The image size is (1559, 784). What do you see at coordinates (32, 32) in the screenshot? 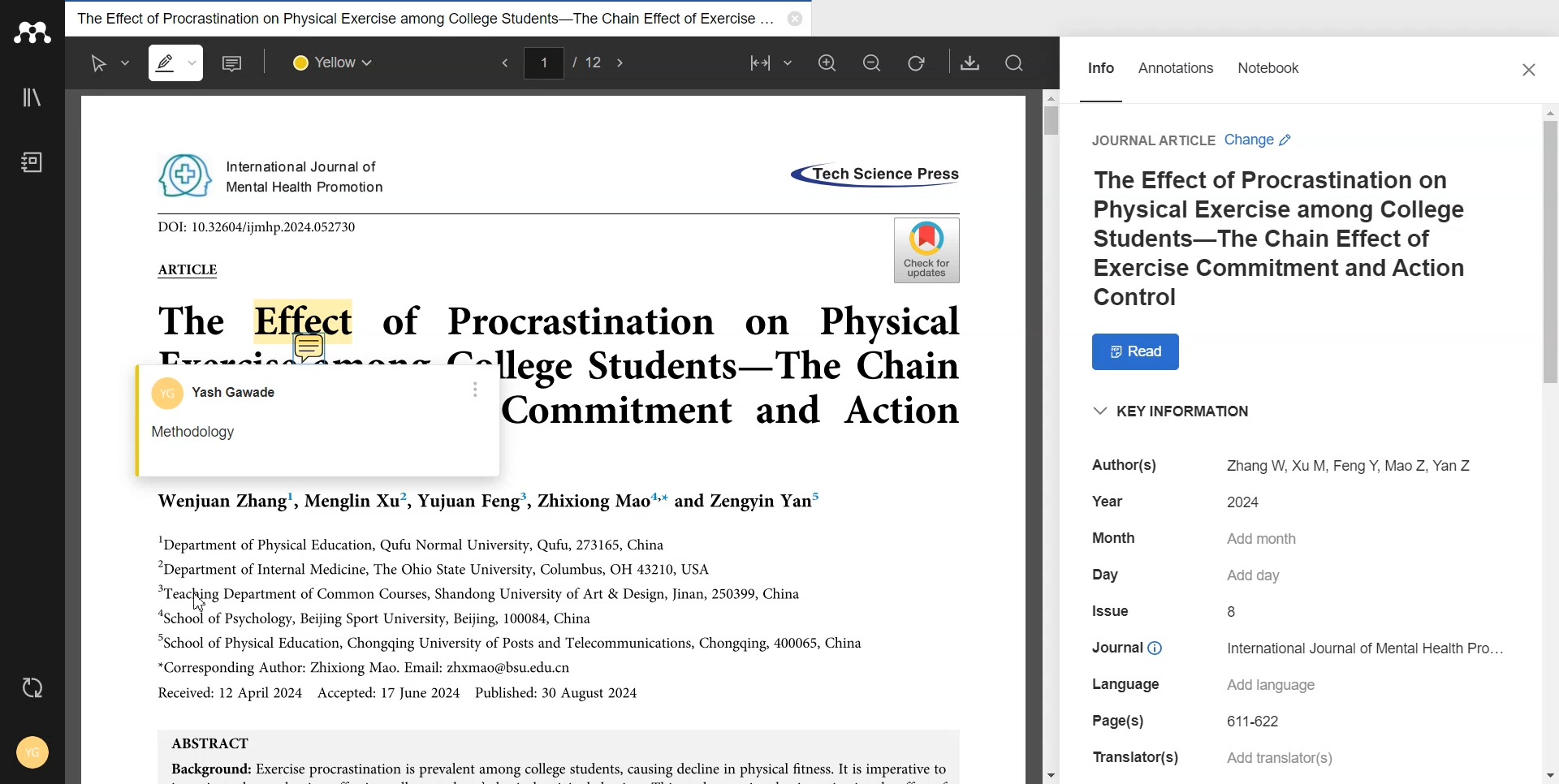
I see `Logo` at bounding box center [32, 32].